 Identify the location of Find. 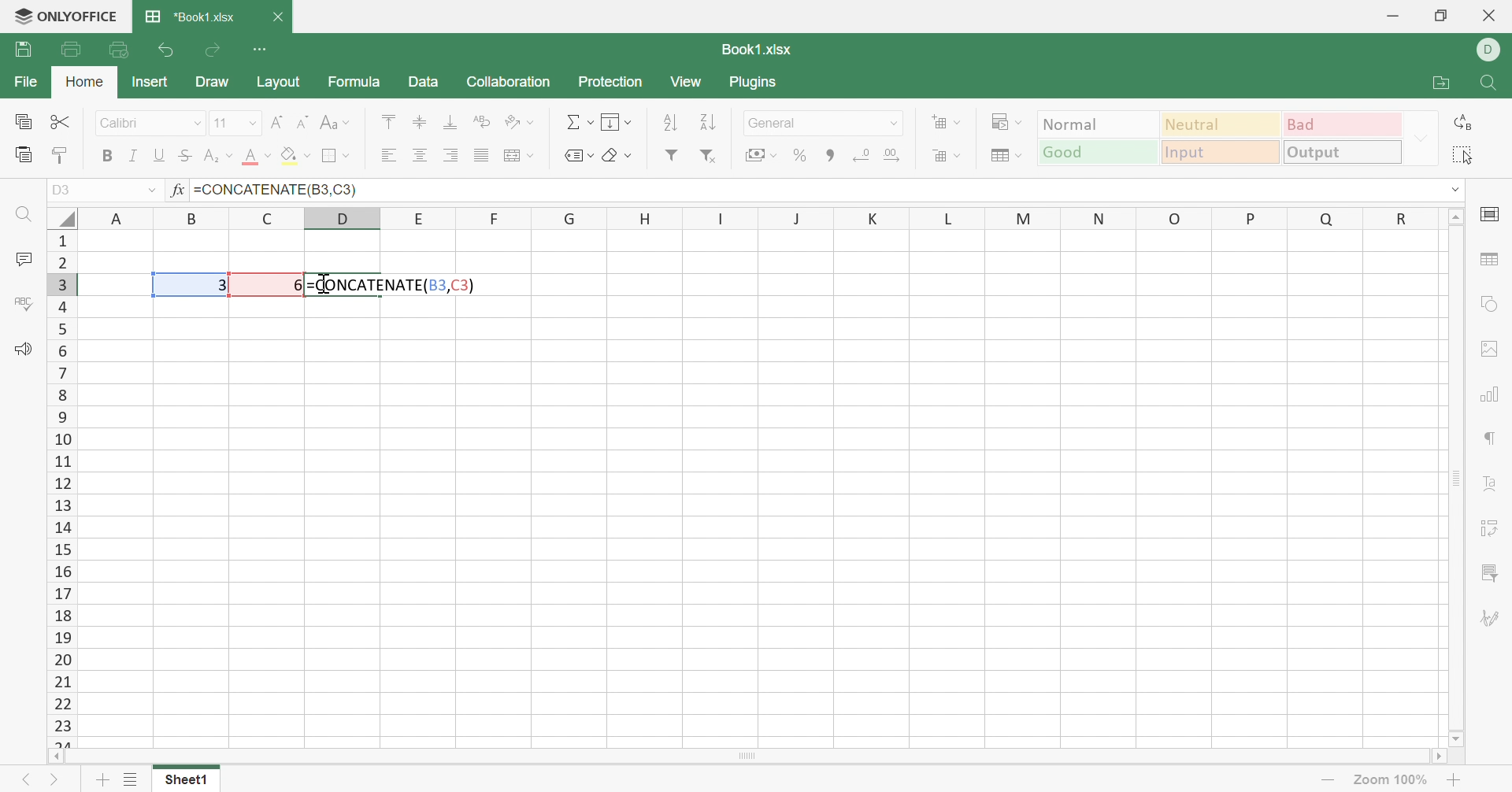
(1492, 83).